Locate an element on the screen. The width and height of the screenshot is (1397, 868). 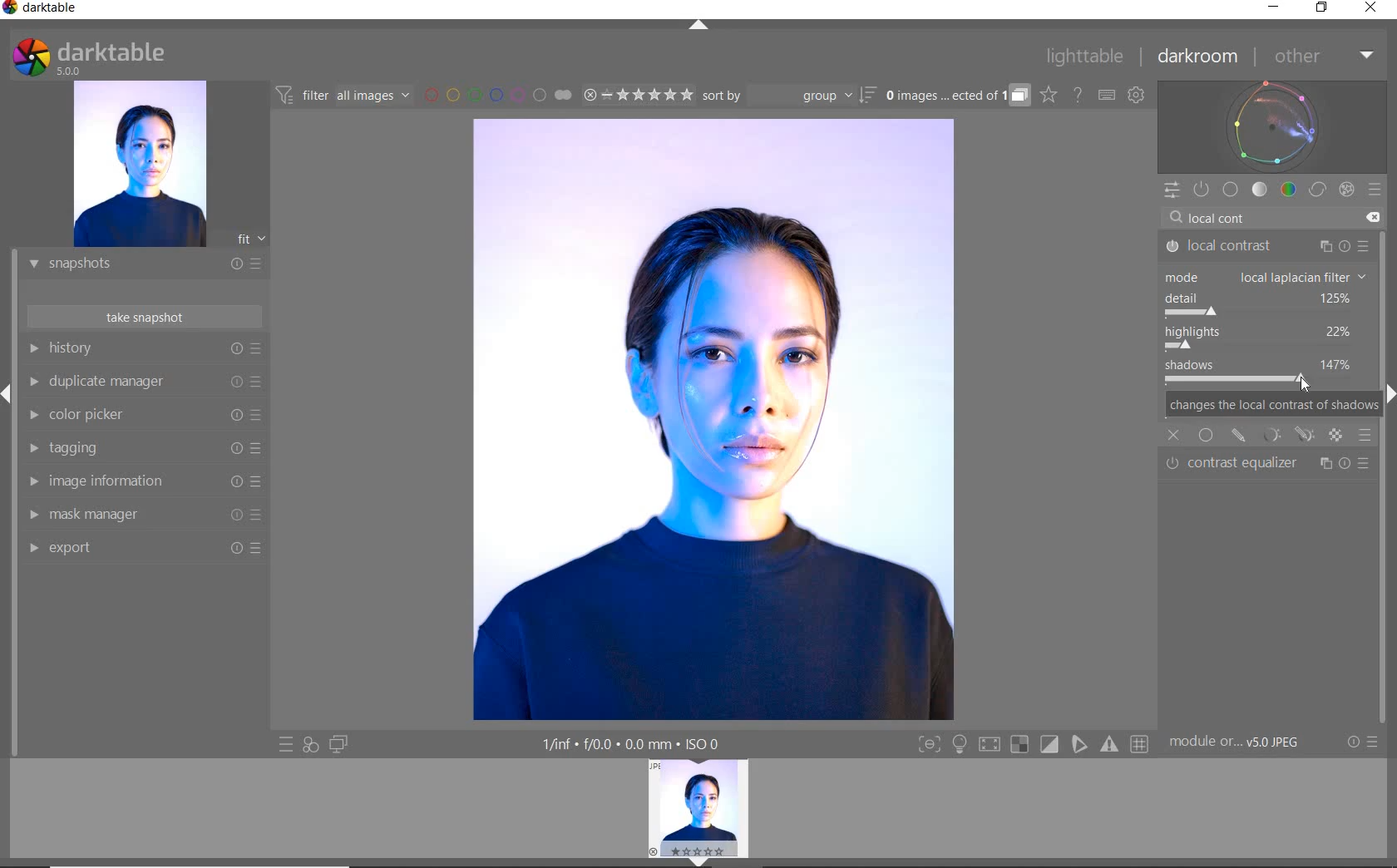
MASK MANAGER is located at coordinates (137, 515).